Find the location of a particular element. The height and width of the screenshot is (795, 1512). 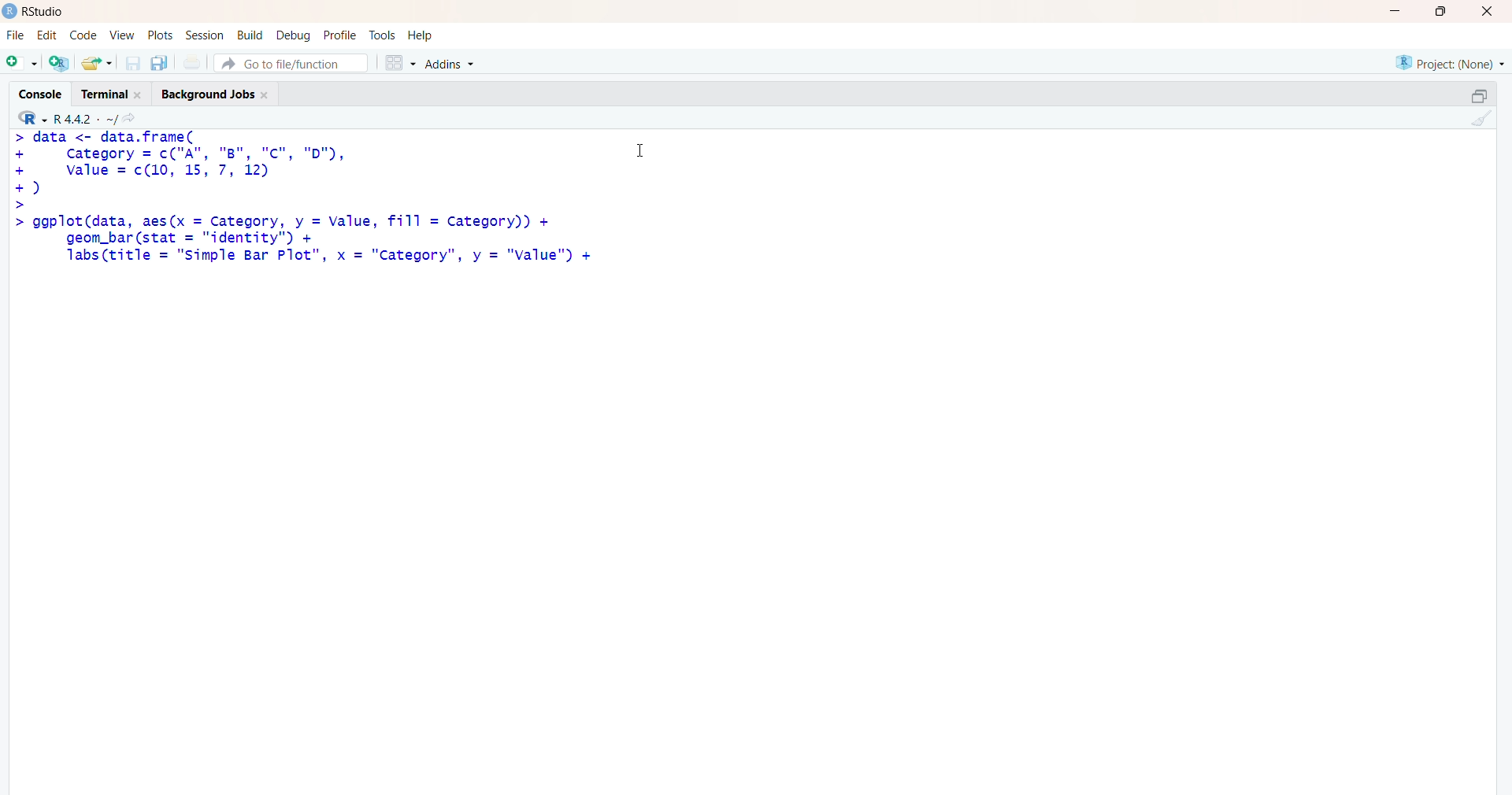

logo is located at coordinates (10, 11).